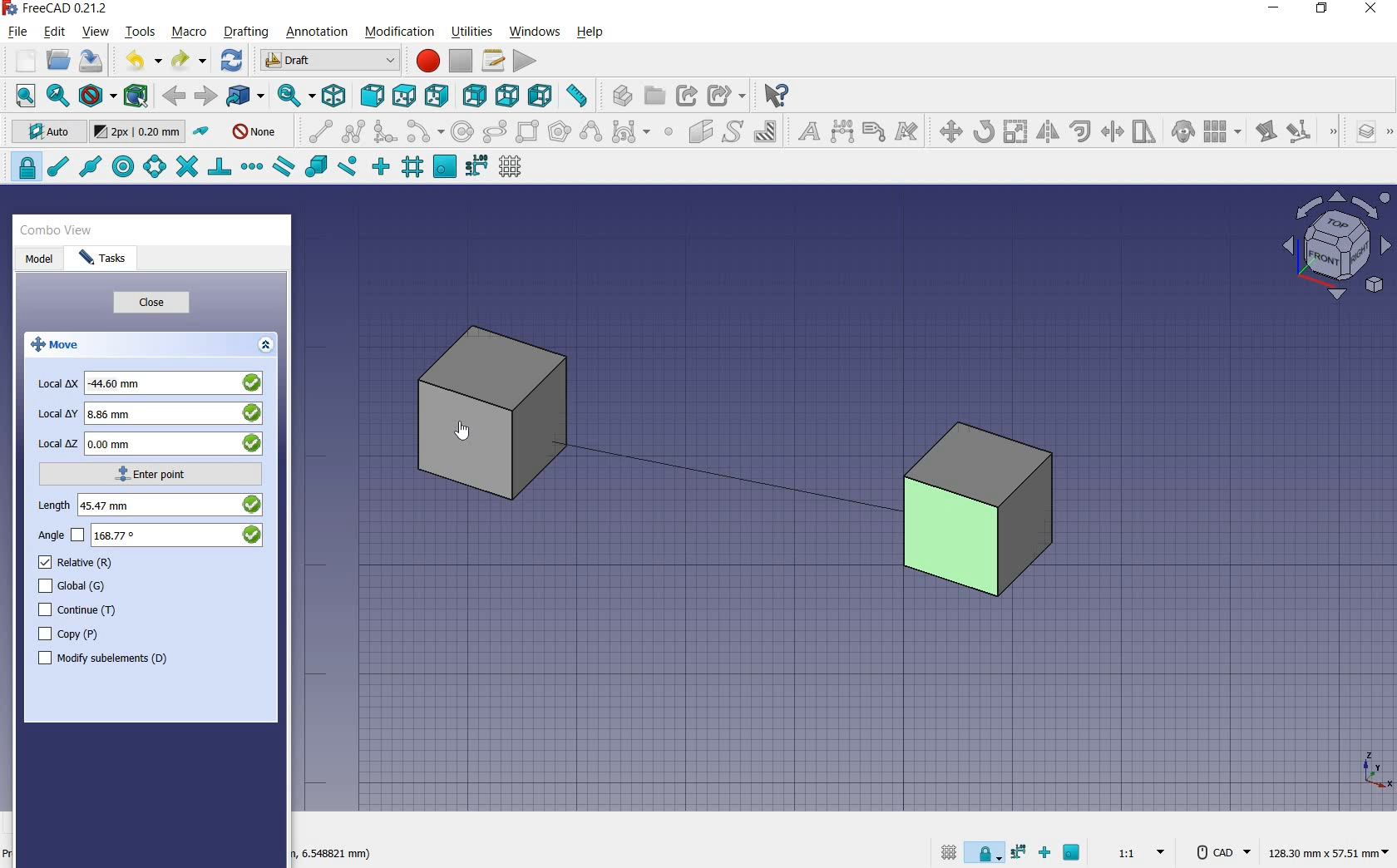  What do you see at coordinates (254, 133) in the screenshot?
I see `autogroup off` at bounding box center [254, 133].